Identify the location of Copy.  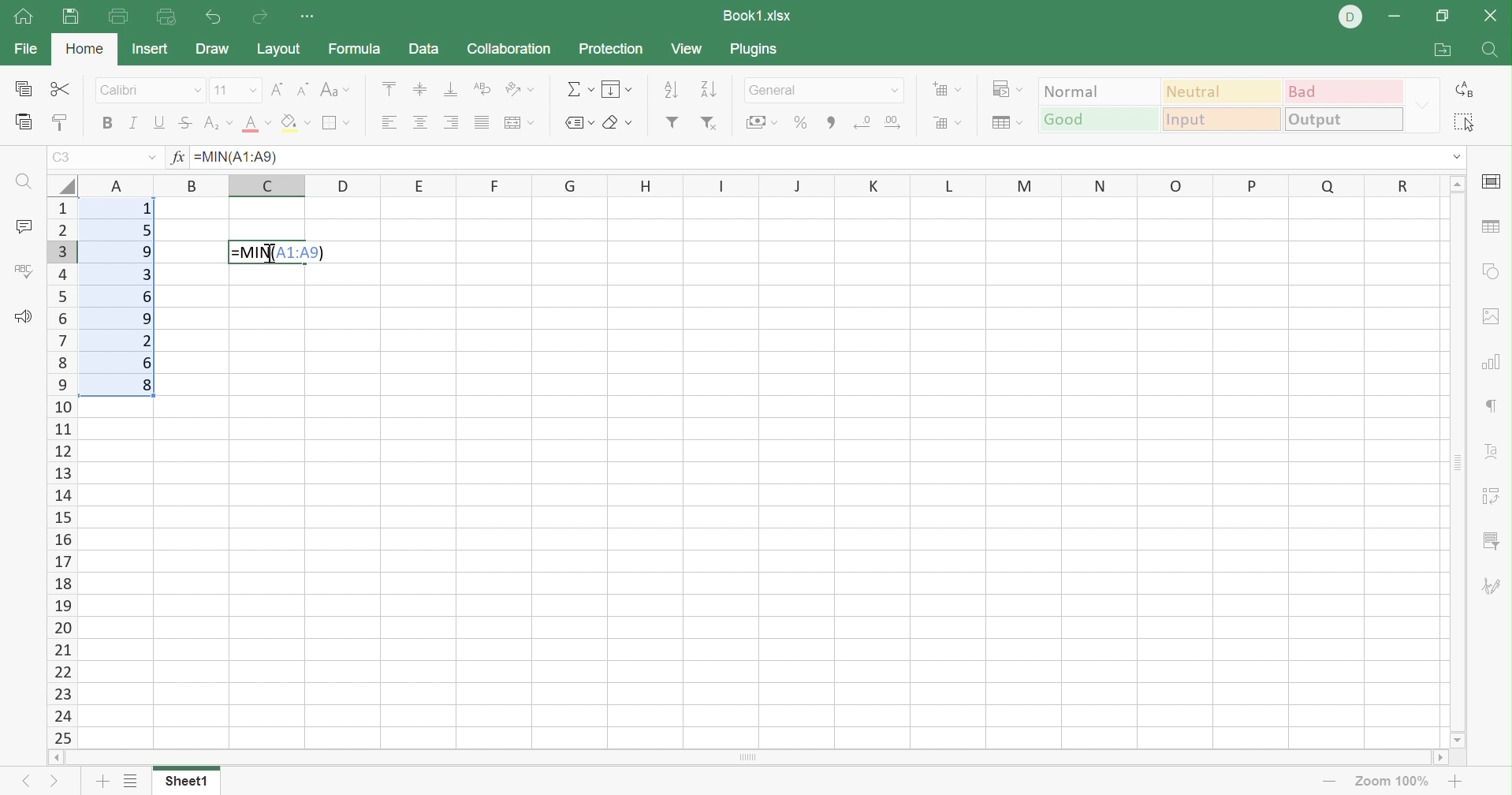
(20, 90).